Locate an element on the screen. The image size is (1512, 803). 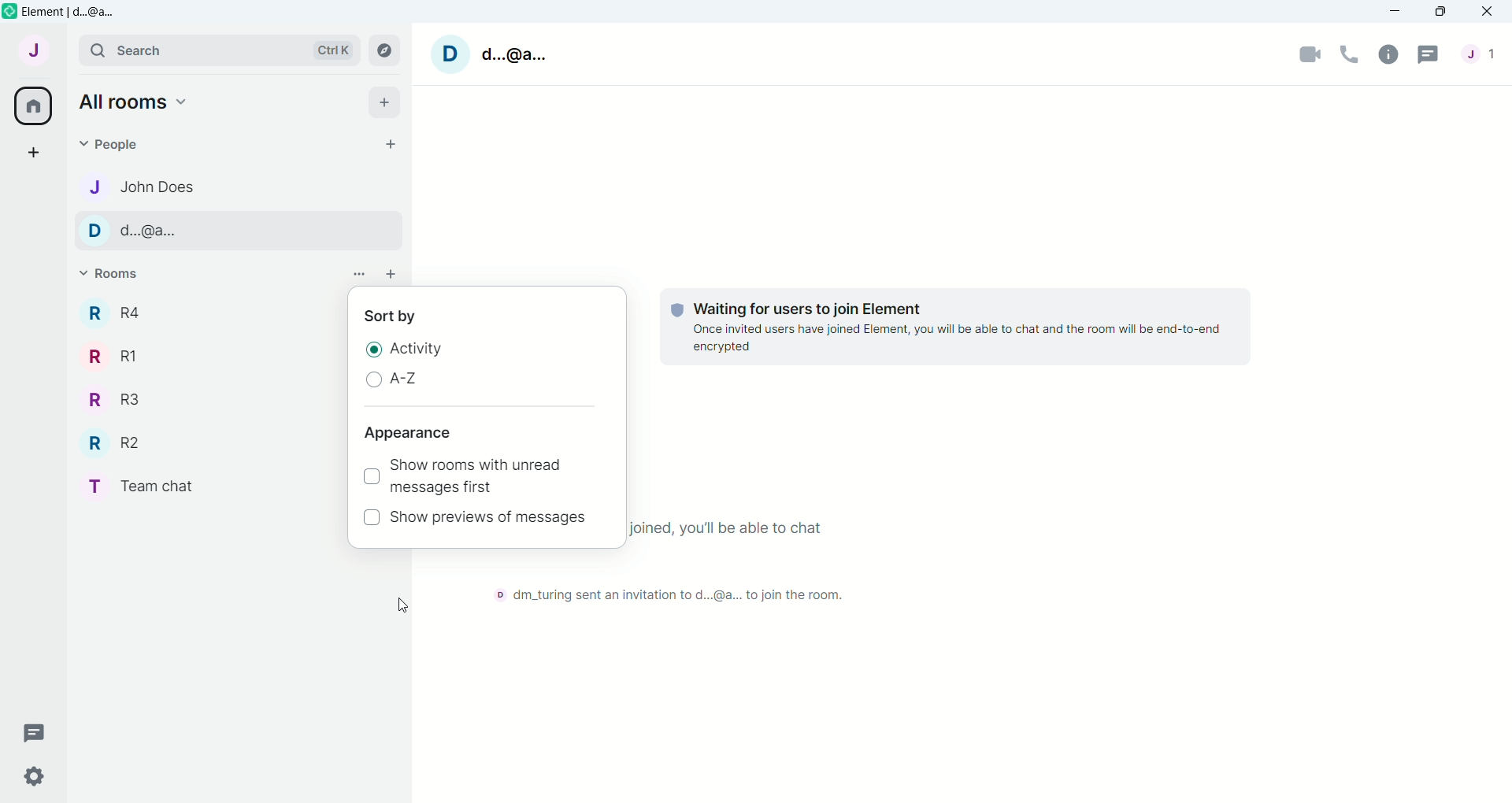
Home options is located at coordinates (139, 101).